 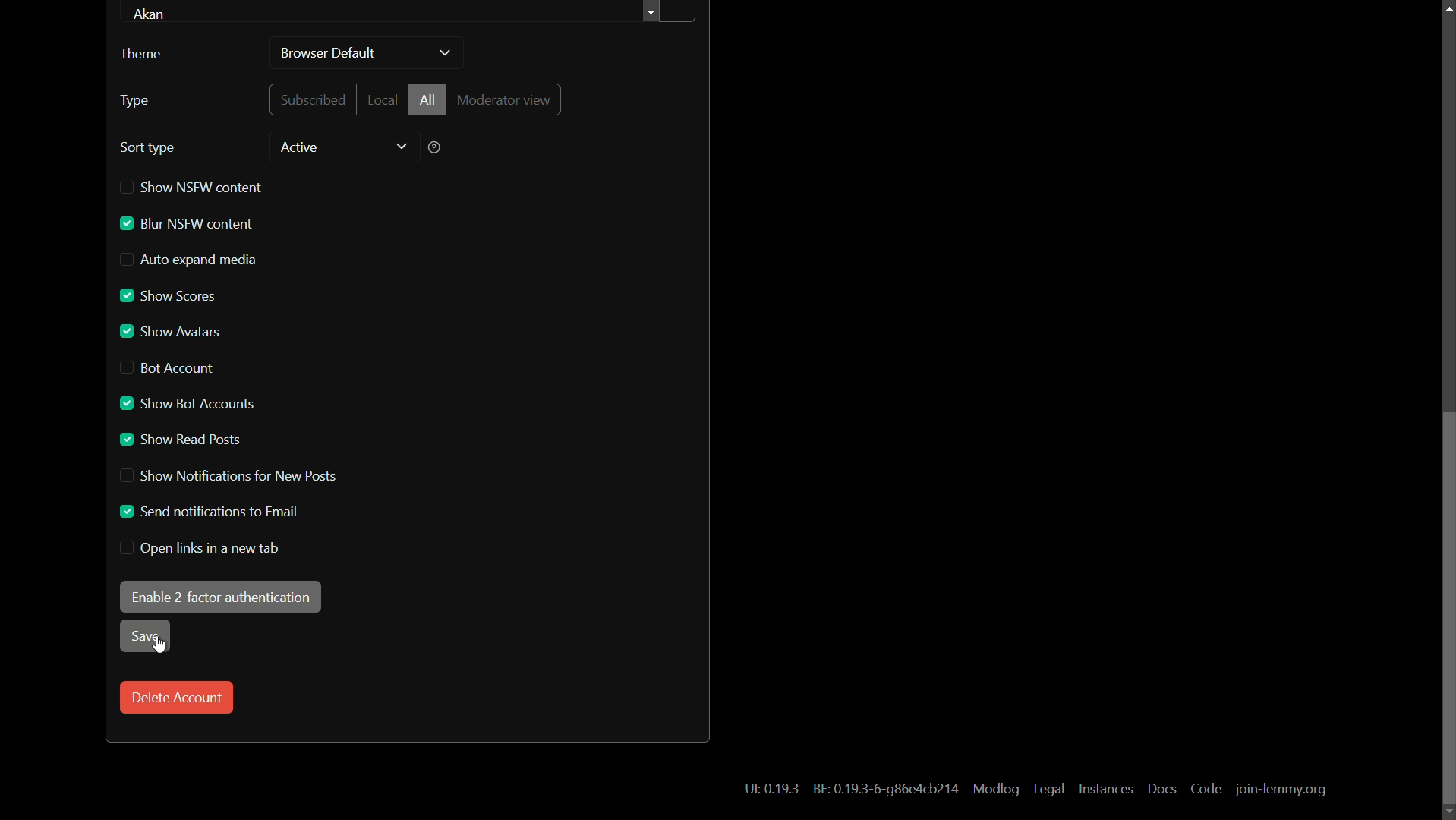 I want to click on type, so click(x=135, y=100).